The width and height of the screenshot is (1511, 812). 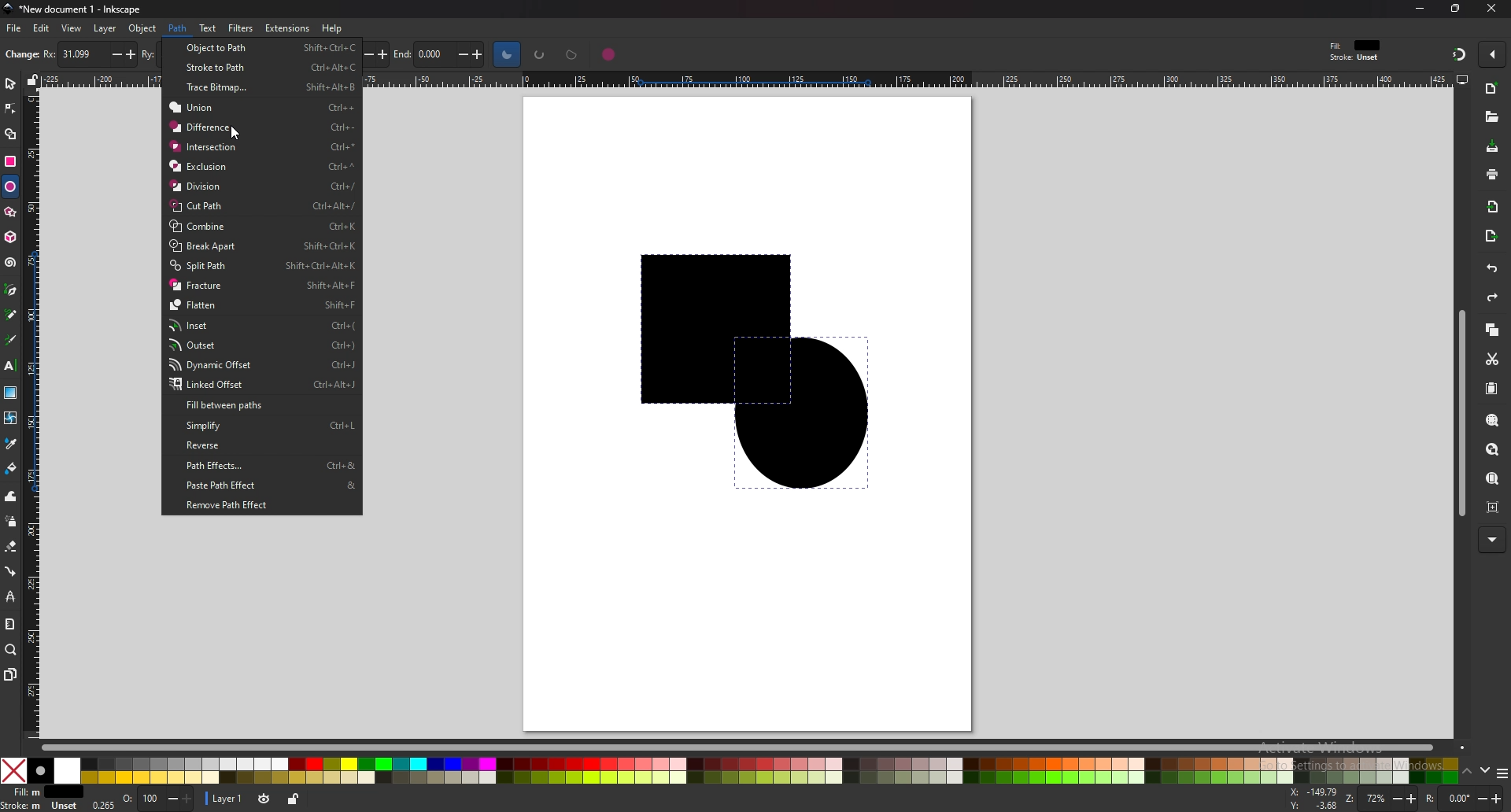 I want to click on pages, so click(x=9, y=674).